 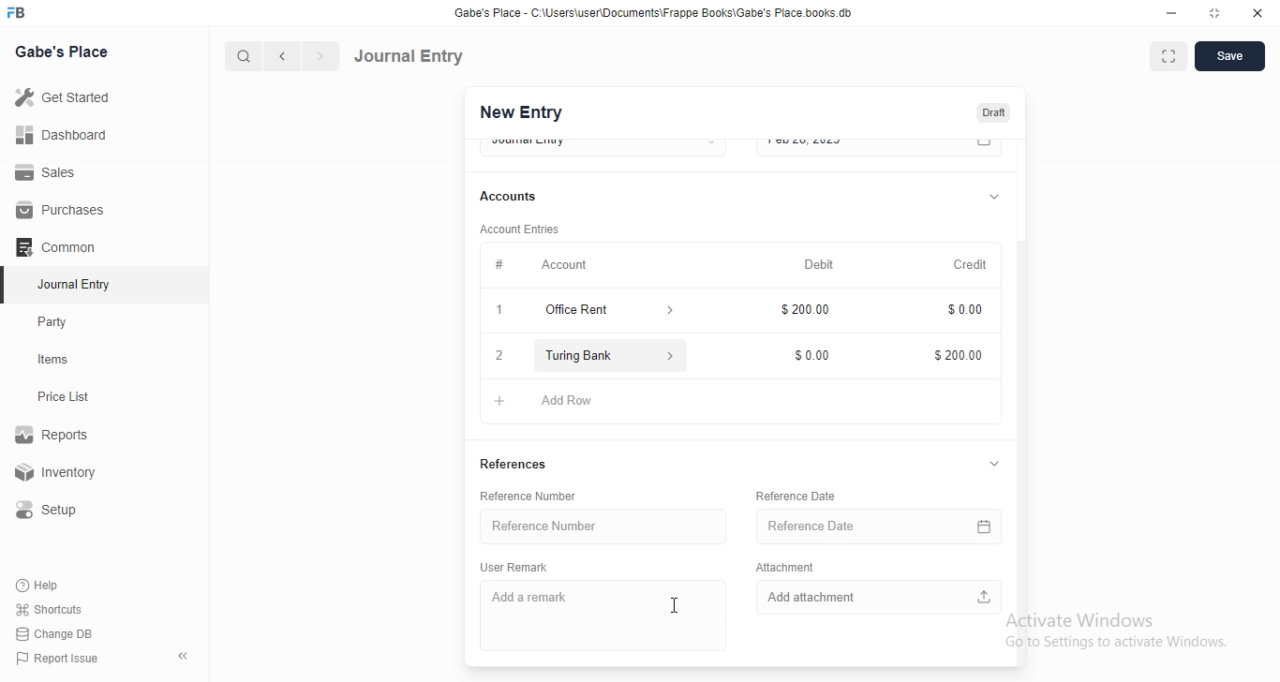 I want to click on Journal Entry, so click(x=409, y=56).